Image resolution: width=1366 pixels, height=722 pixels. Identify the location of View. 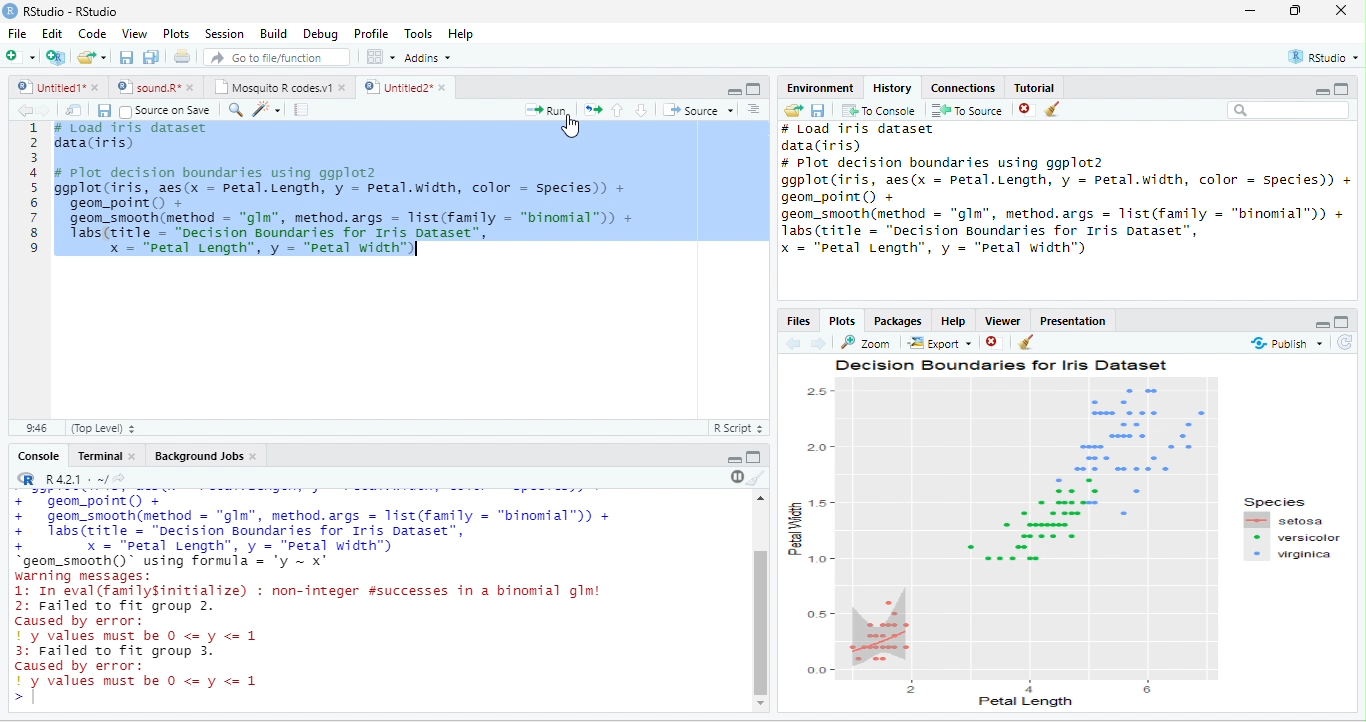
(134, 34).